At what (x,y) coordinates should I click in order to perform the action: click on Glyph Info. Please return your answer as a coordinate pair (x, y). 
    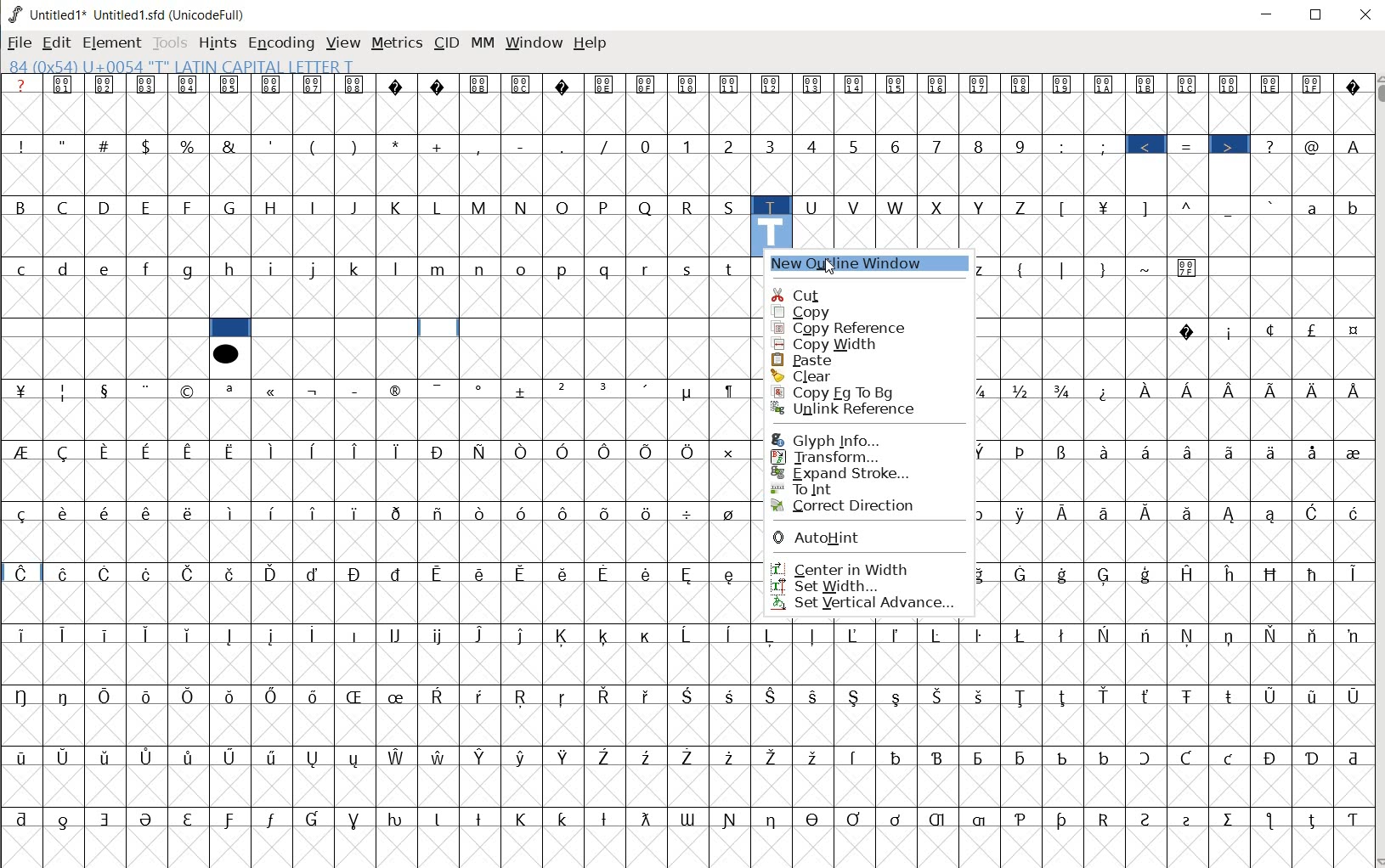
    Looking at the image, I should click on (823, 441).